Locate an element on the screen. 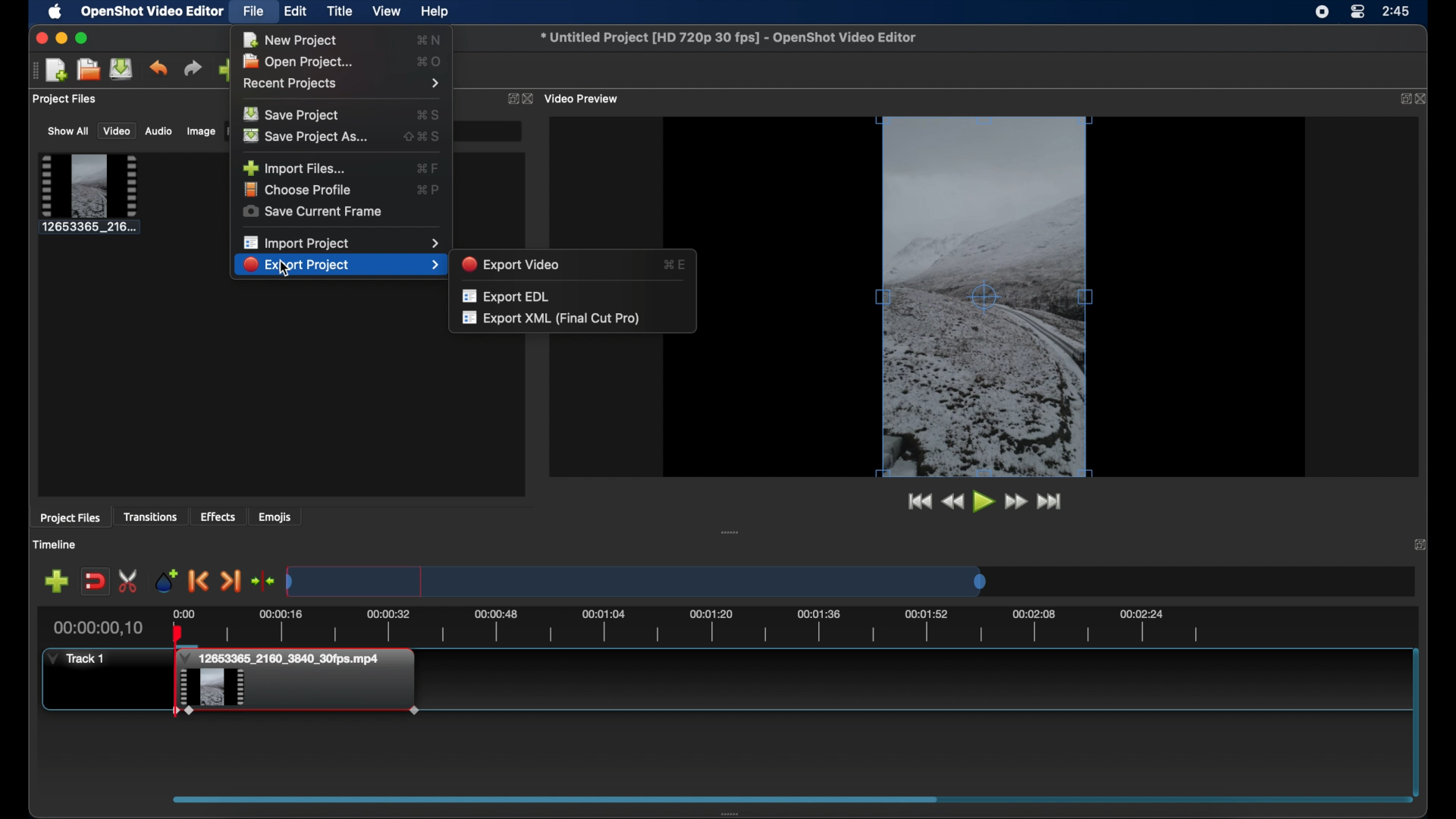 The width and height of the screenshot is (1456, 819). cursor is located at coordinates (286, 268).